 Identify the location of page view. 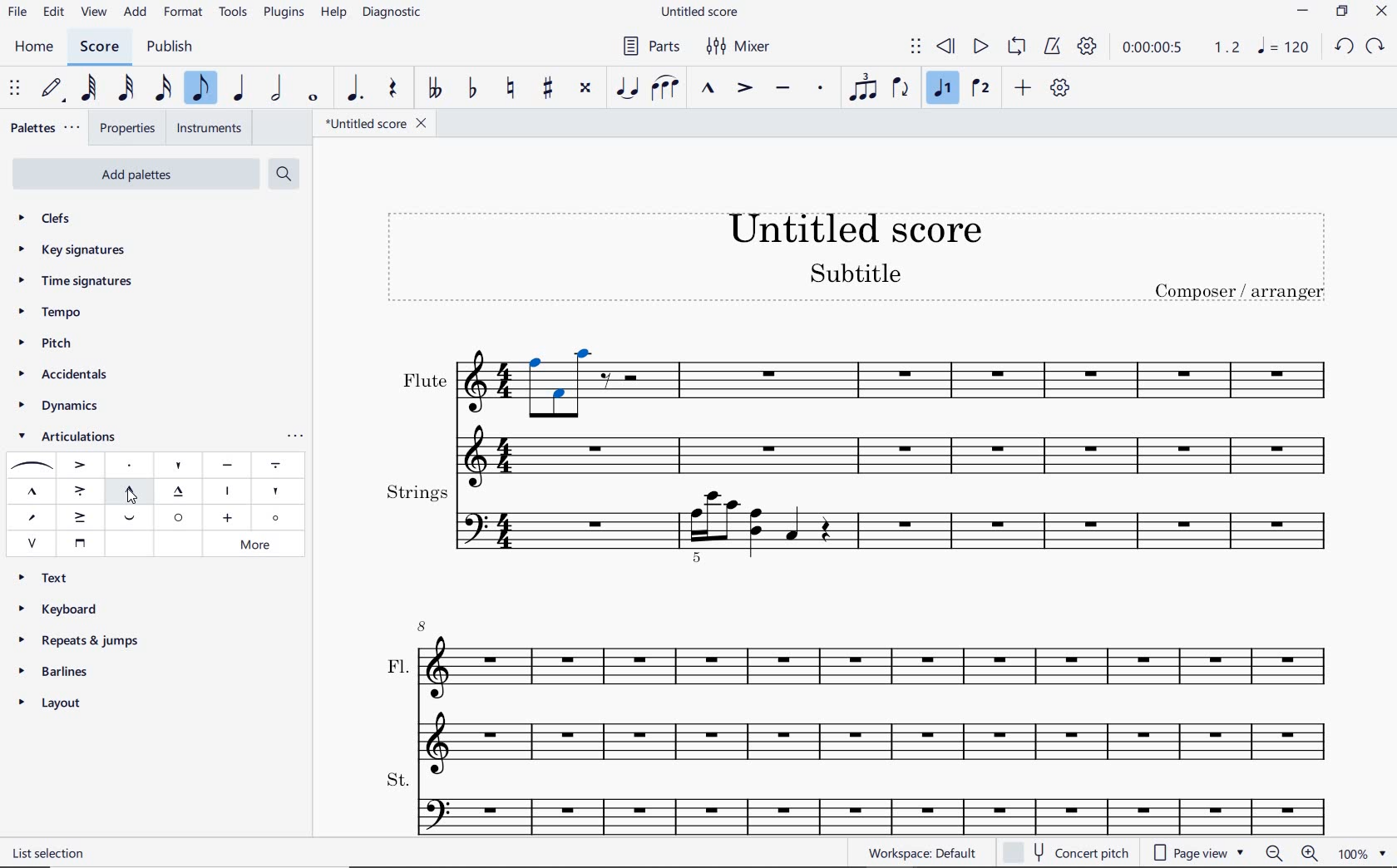
(1197, 853).